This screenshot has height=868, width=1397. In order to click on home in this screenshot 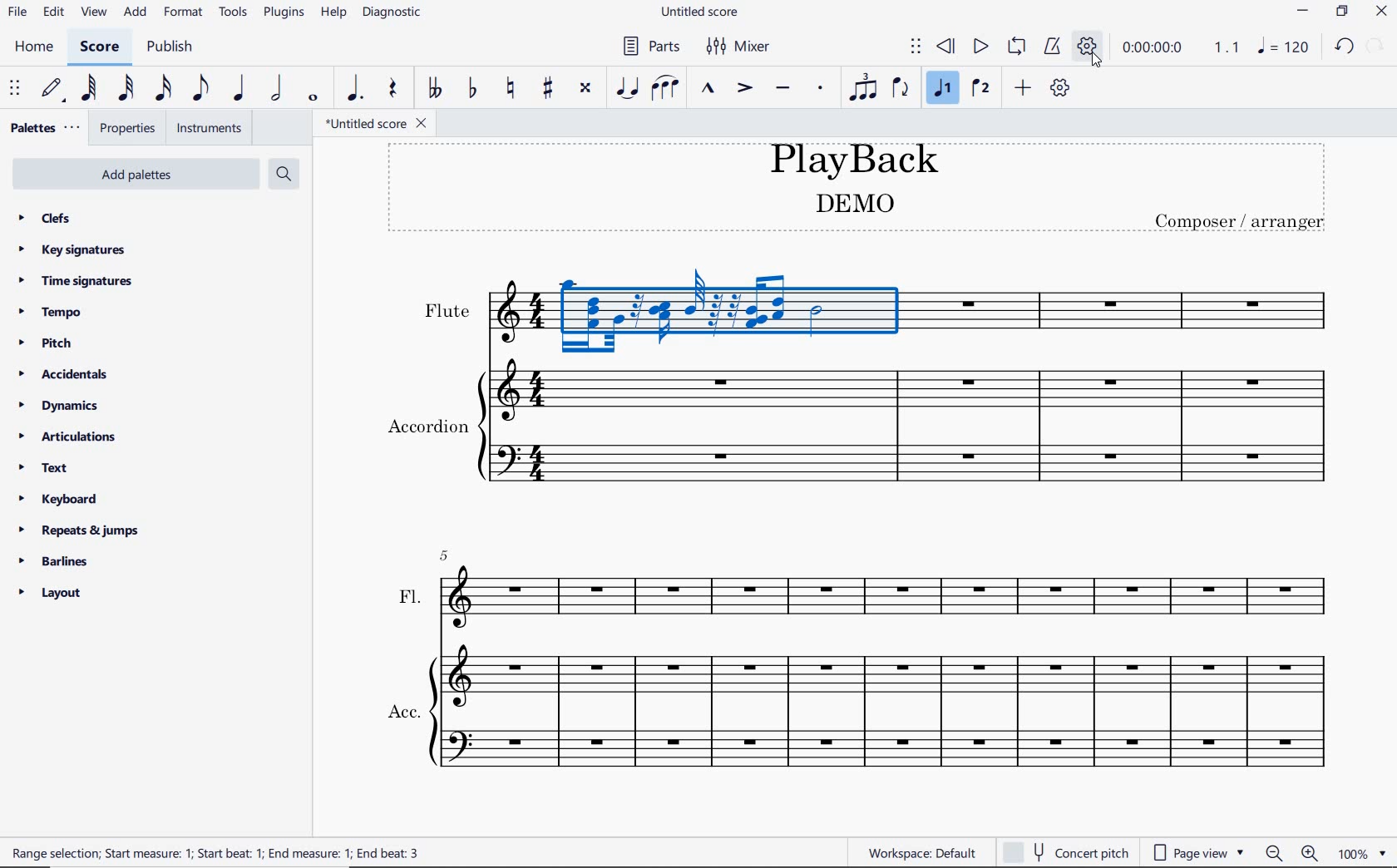, I will do `click(37, 47)`.